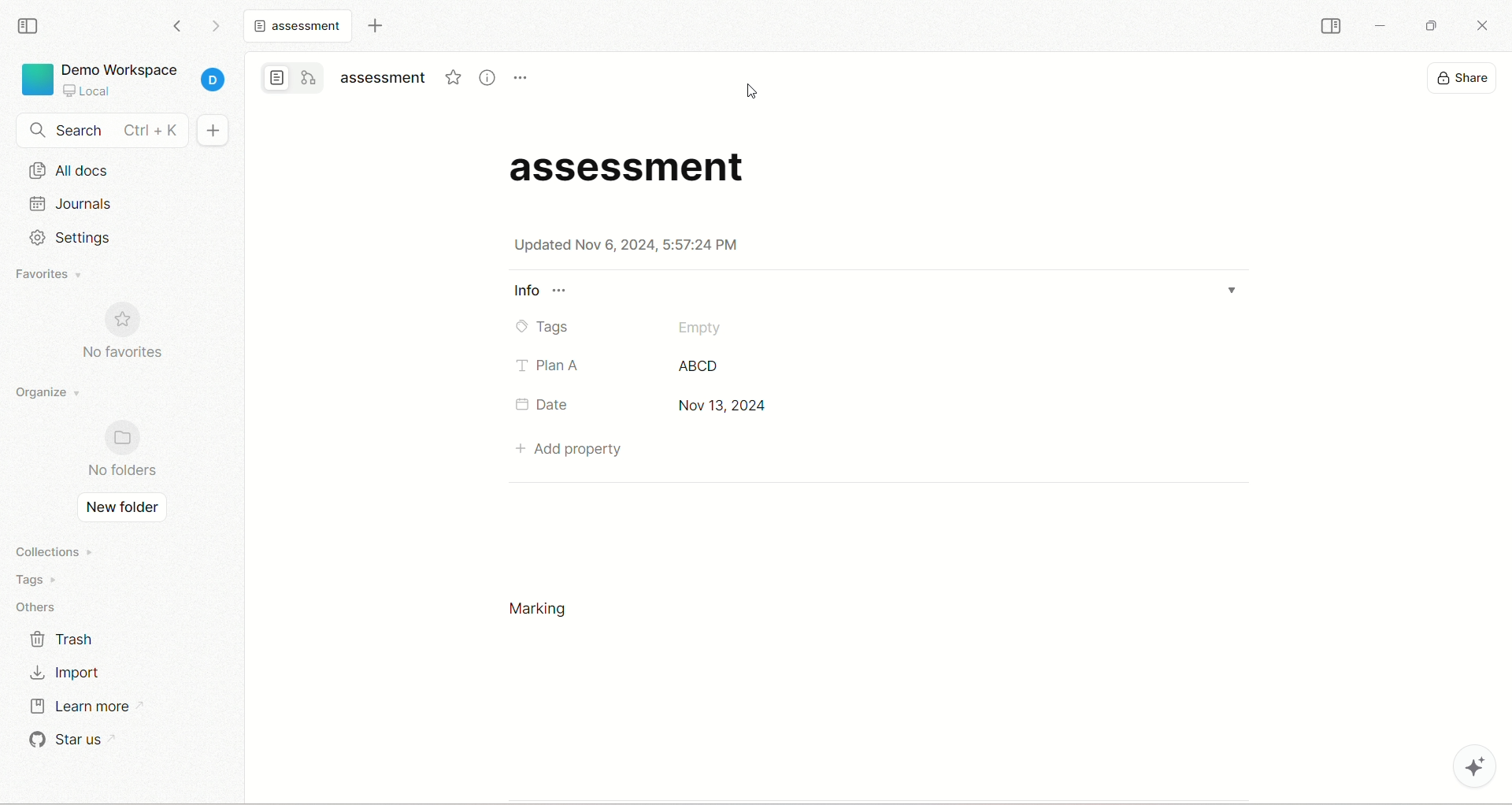 This screenshot has height=805, width=1512. I want to click on collections, so click(50, 551).